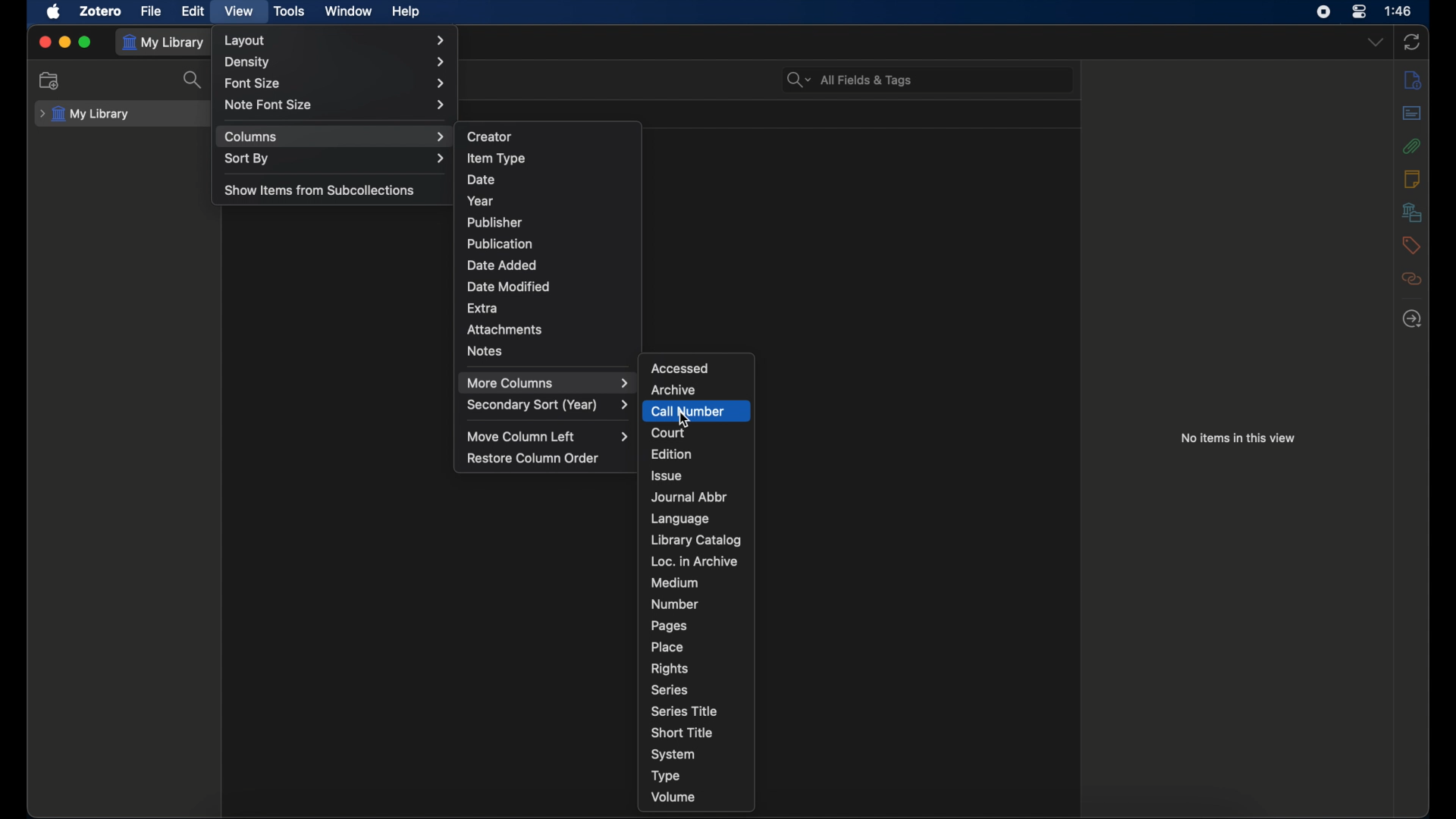  I want to click on attachments, so click(1410, 146).